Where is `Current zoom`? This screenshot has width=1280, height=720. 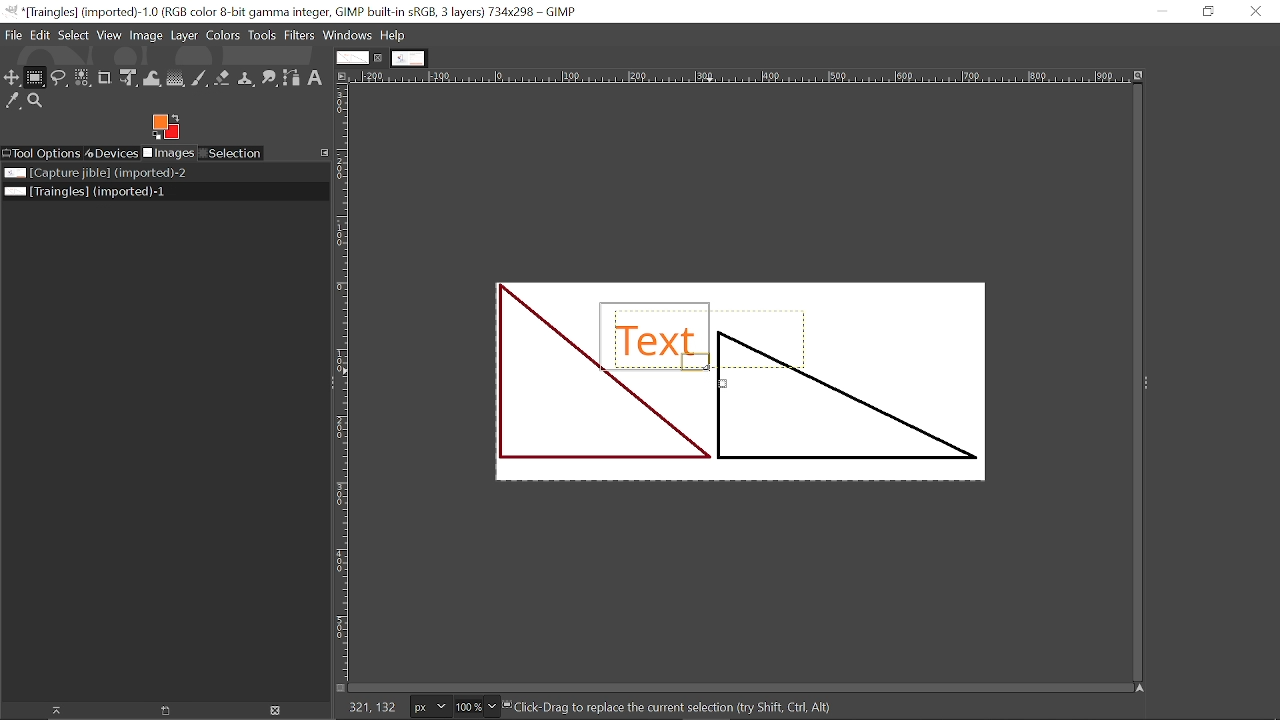
Current zoom is located at coordinates (468, 706).